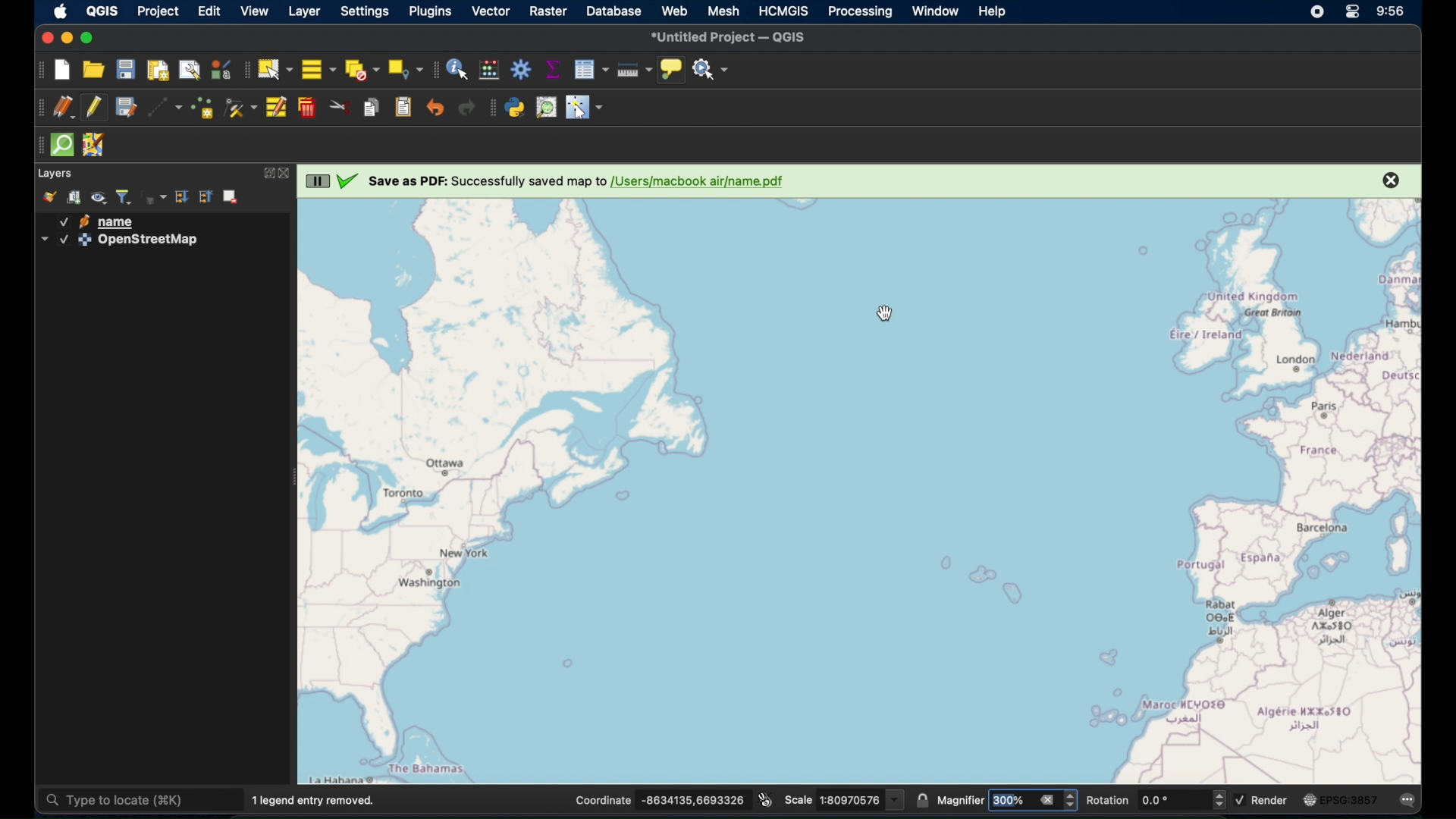 The height and width of the screenshot is (819, 1456). I want to click on show layout manager, so click(190, 69).